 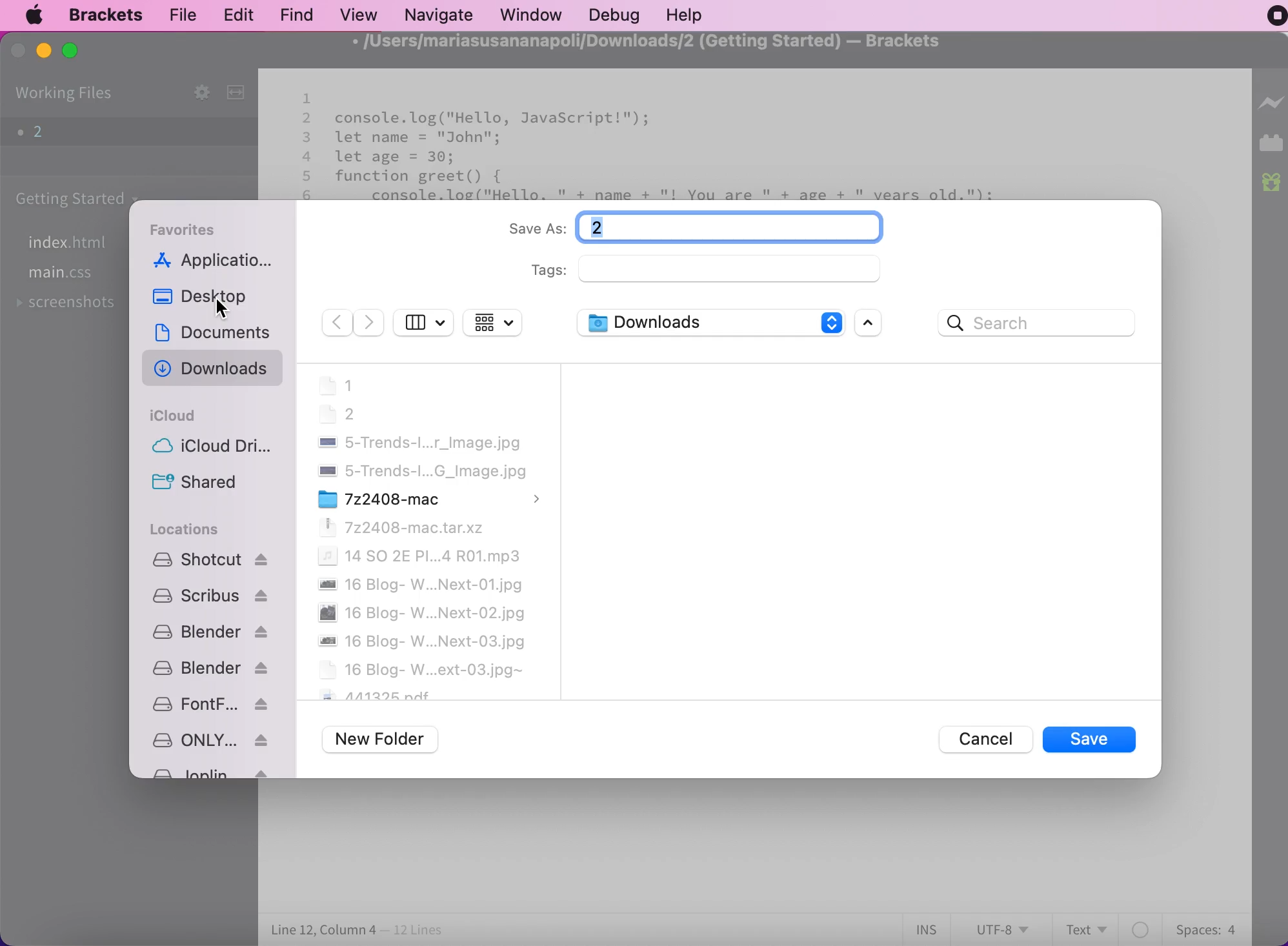 What do you see at coordinates (418, 443) in the screenshot?
I see `5-trends-I...r_image.jpg` at bounding box center [418, 443].